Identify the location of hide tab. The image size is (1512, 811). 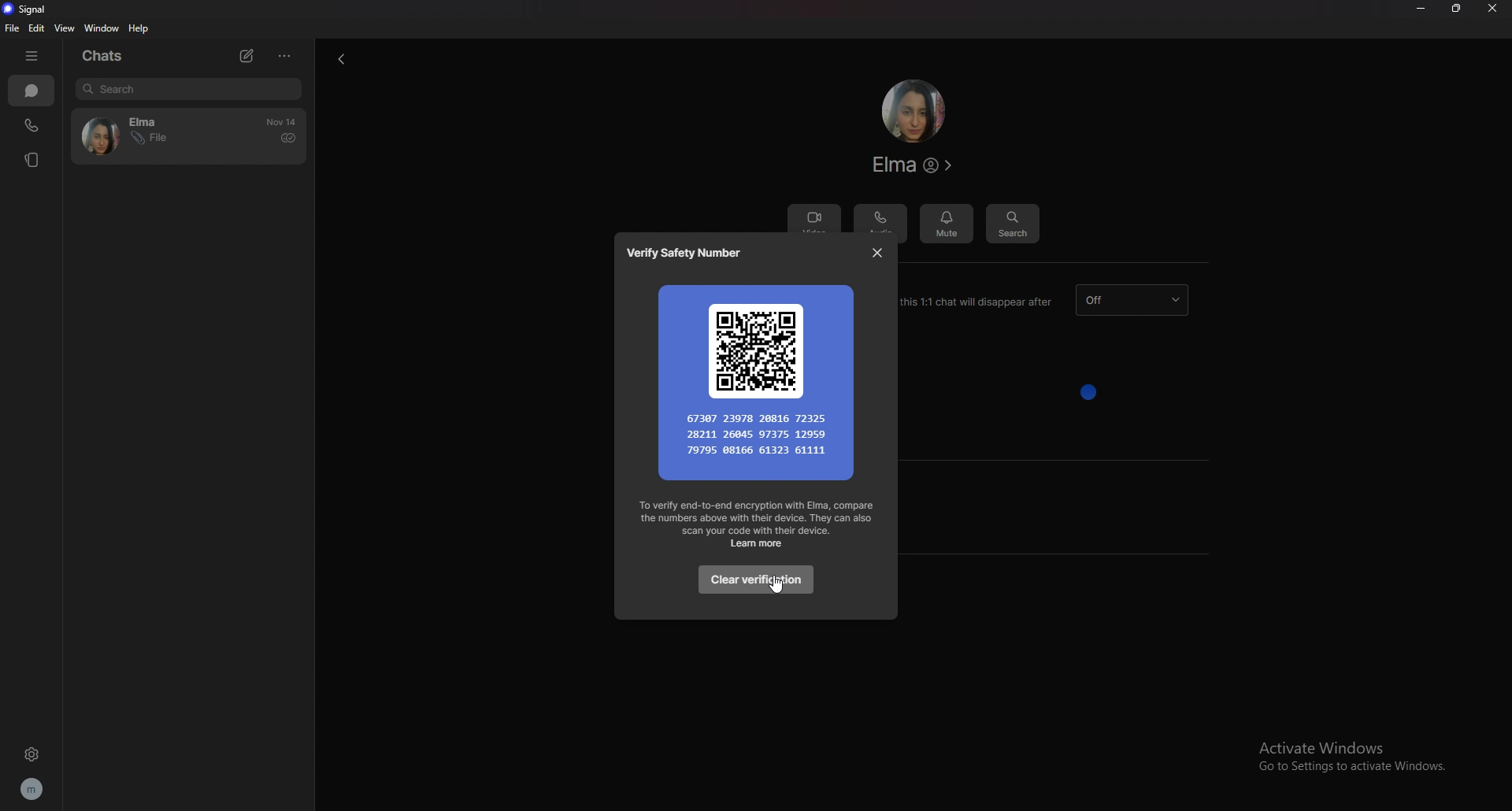
(34, 56).